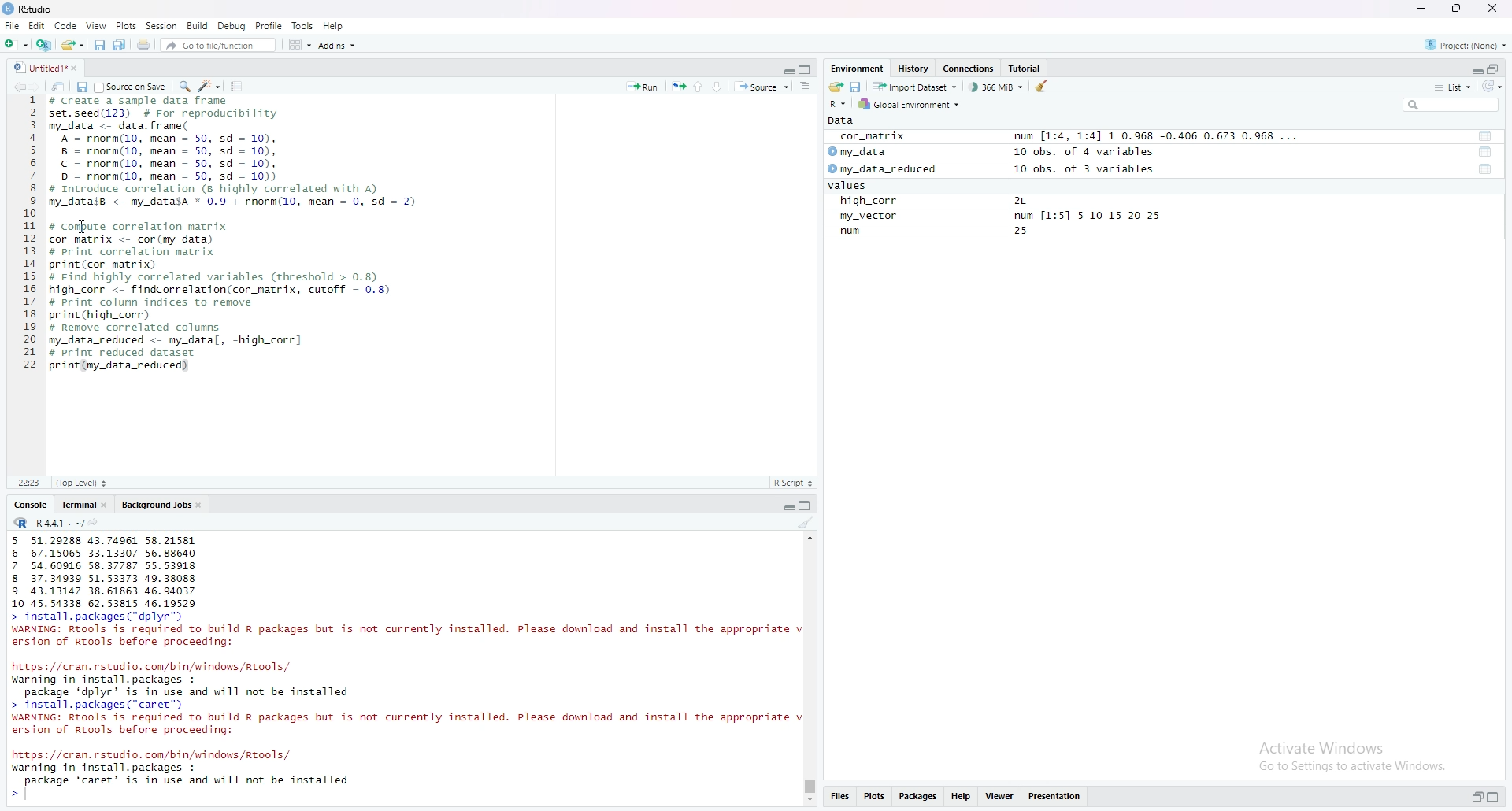  I want to click on save, so click(101, 46).